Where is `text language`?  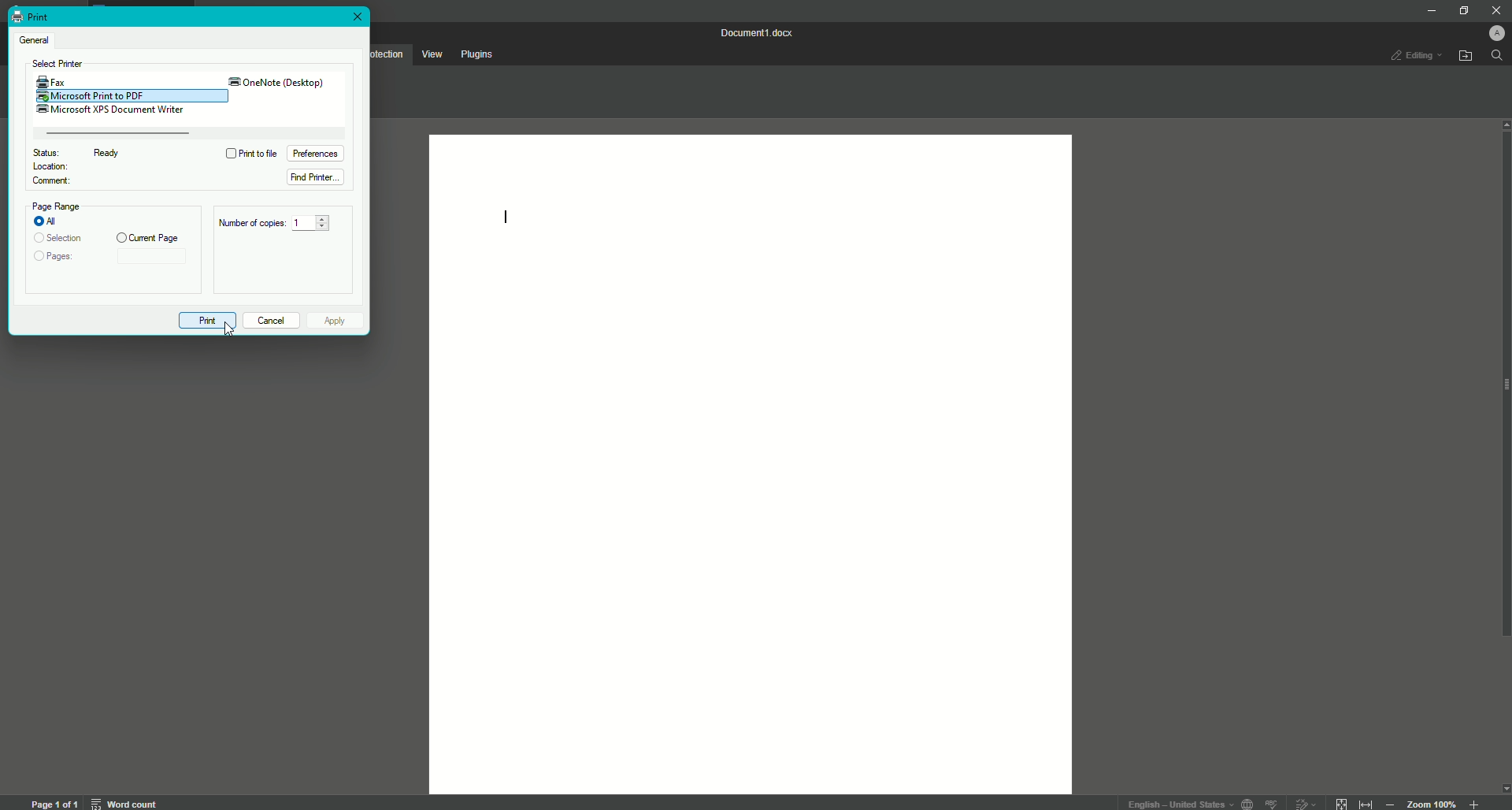 text language is located at coordinates (1177, 801).